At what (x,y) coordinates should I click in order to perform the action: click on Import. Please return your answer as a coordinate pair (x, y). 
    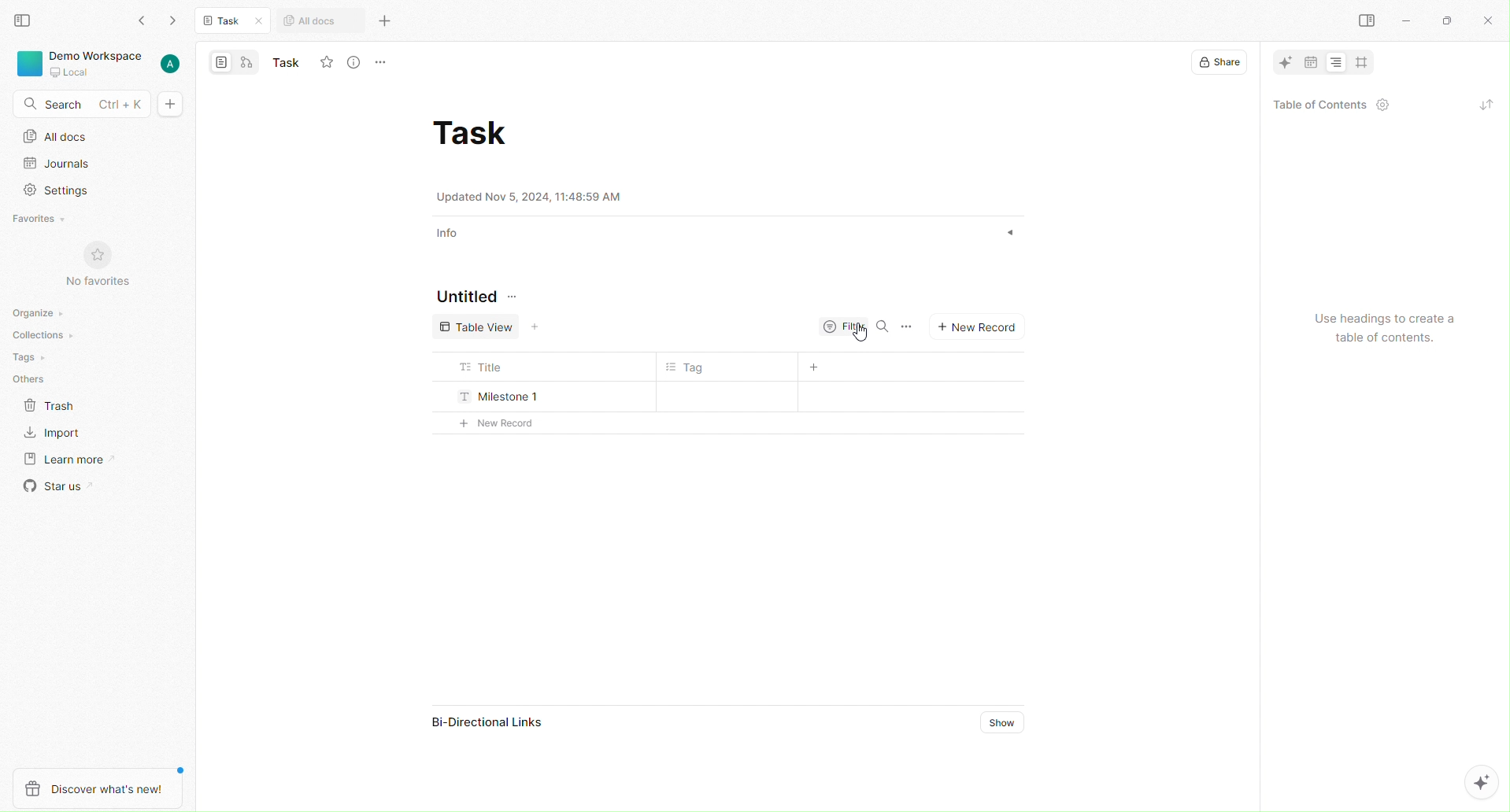
    Looking at the image, I should click on (59, 434).